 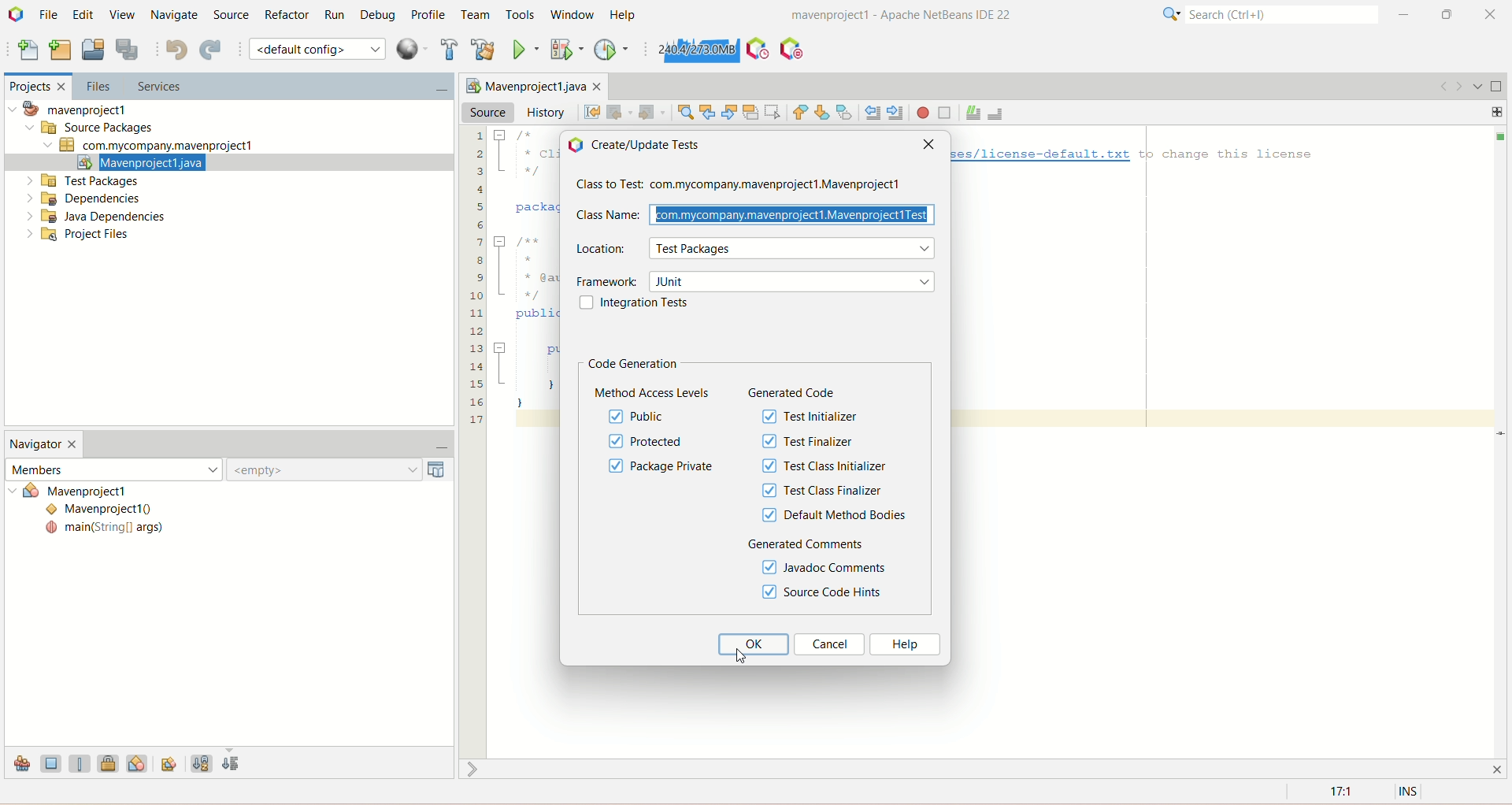 I want to click on force garbage collection, so click(x=696, y=50).